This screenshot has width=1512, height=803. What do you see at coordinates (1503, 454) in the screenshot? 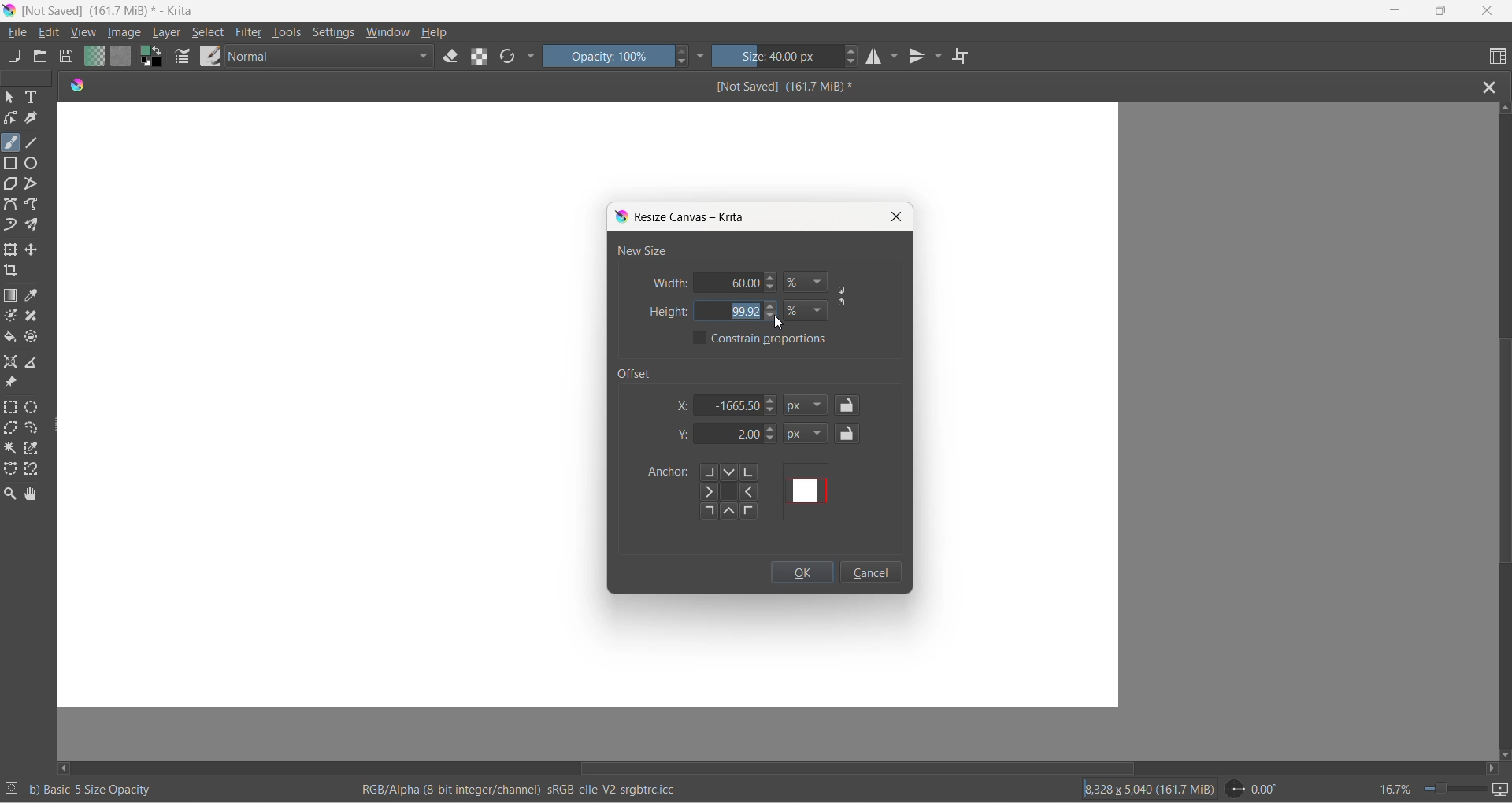
I see `vertical scroll bar` at bounding box center [1503, 454].